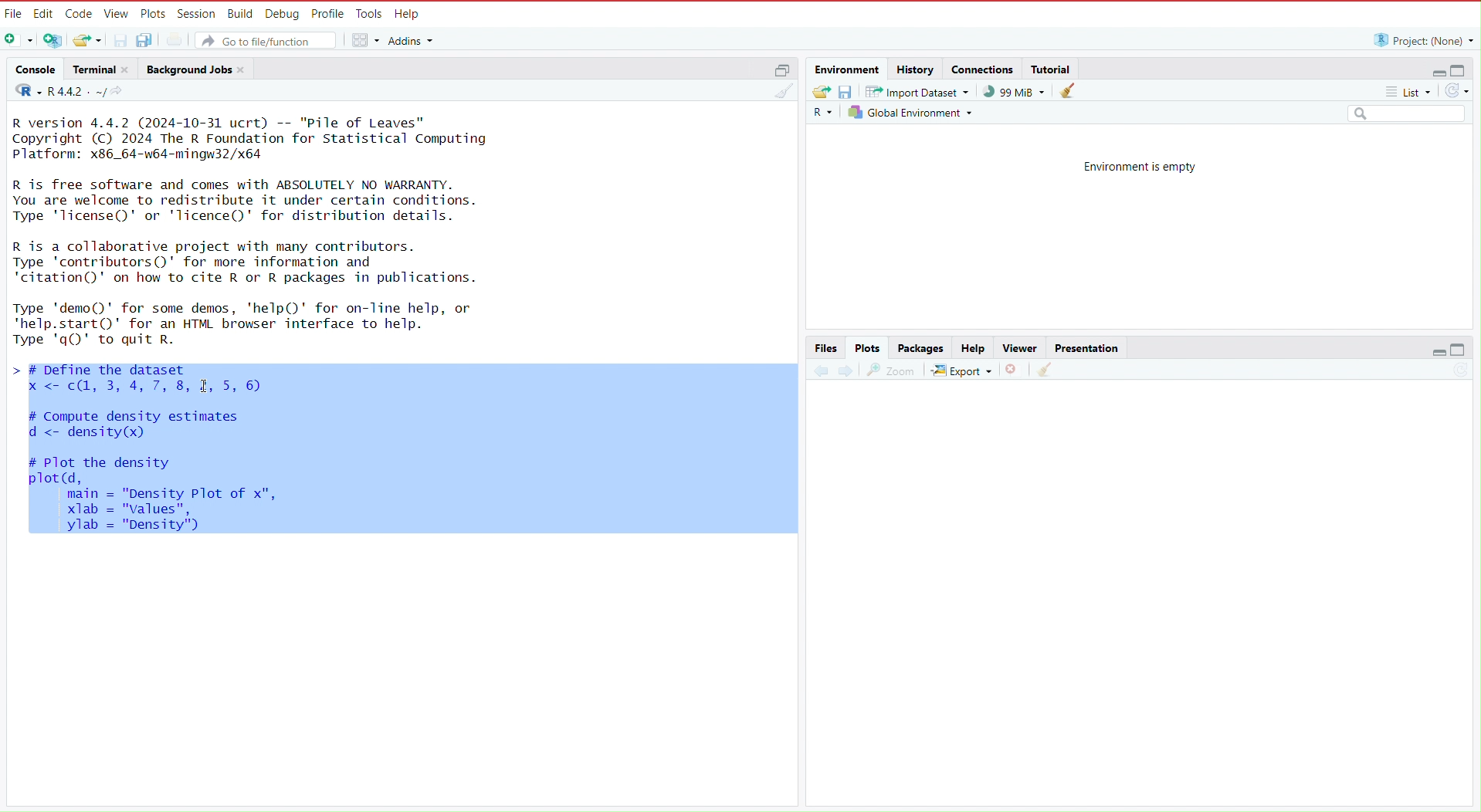 The image size is (1481, 812). I want to click on help, so click(410, 12).